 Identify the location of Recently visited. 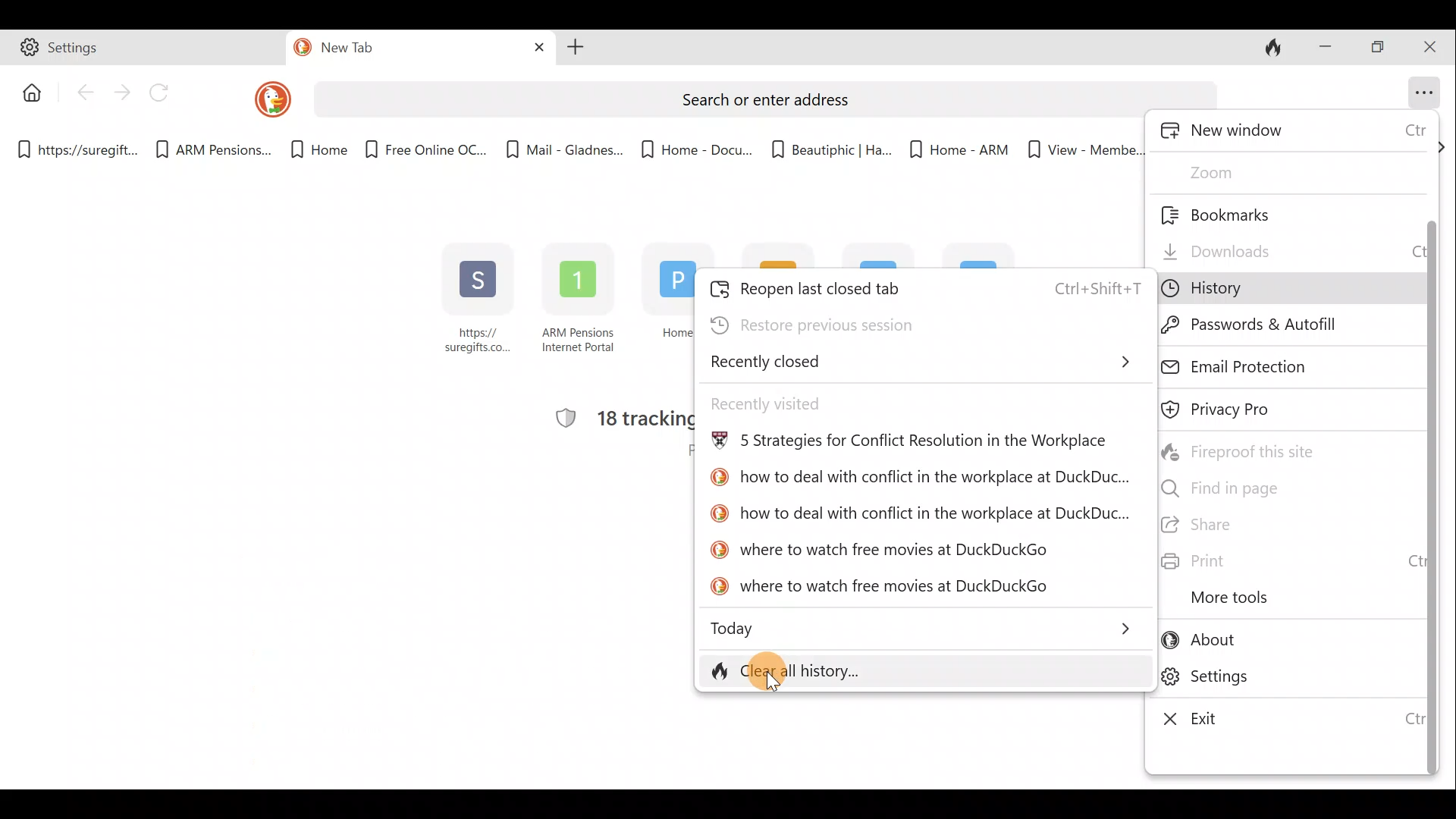
(804, 402).